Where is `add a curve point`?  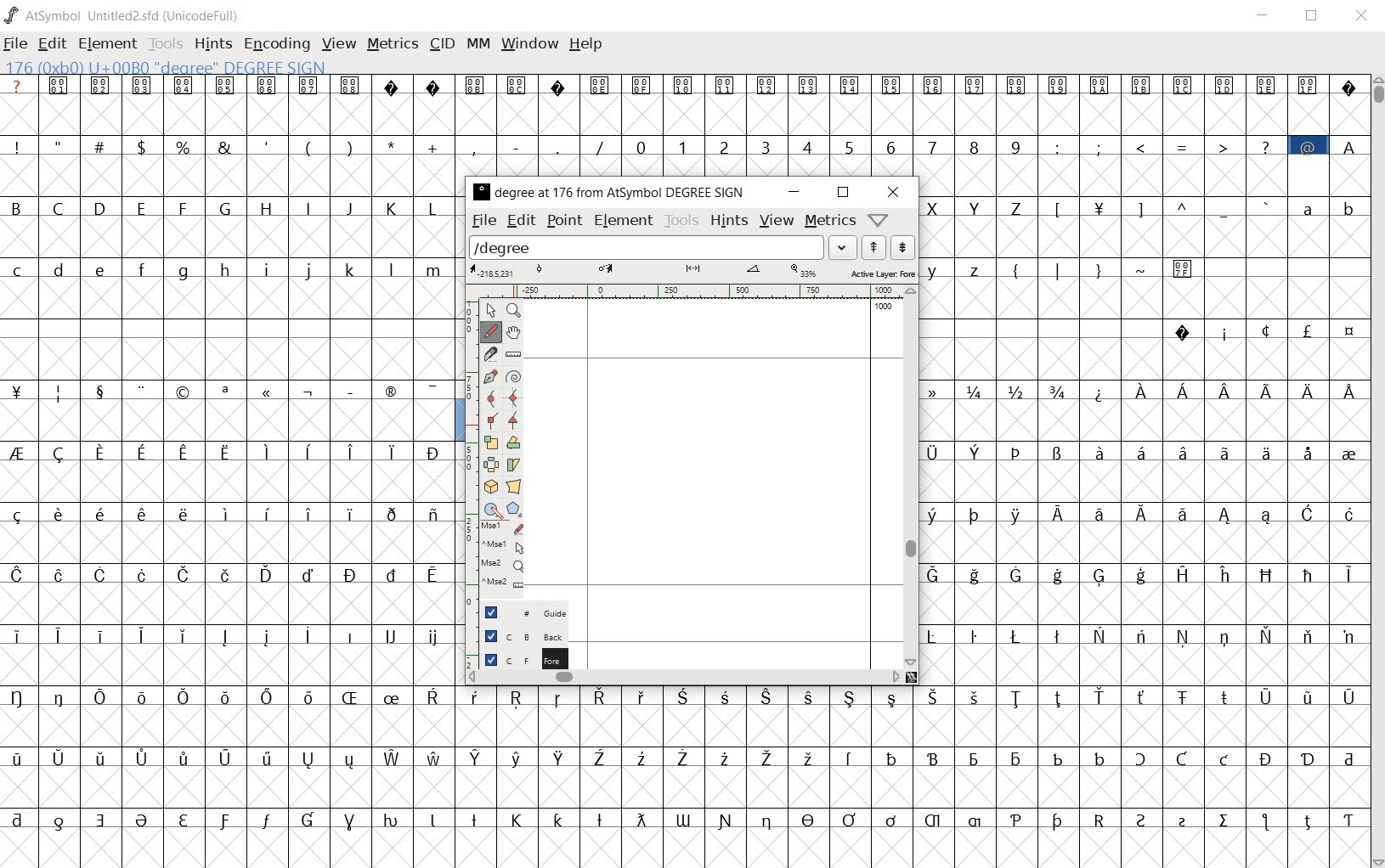
add a curve point is located at coordinates (491, 398).